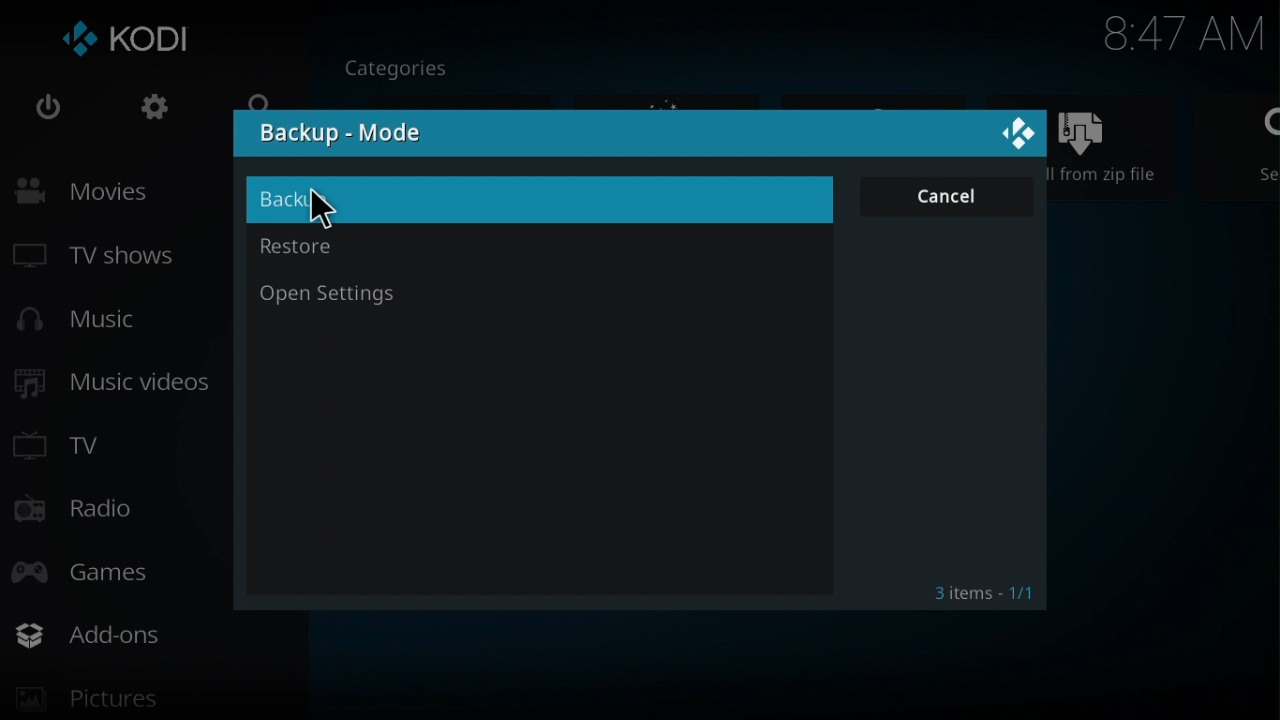 This screenshot has width=1280, height=720. I want to click on close, so click(1011, 131).